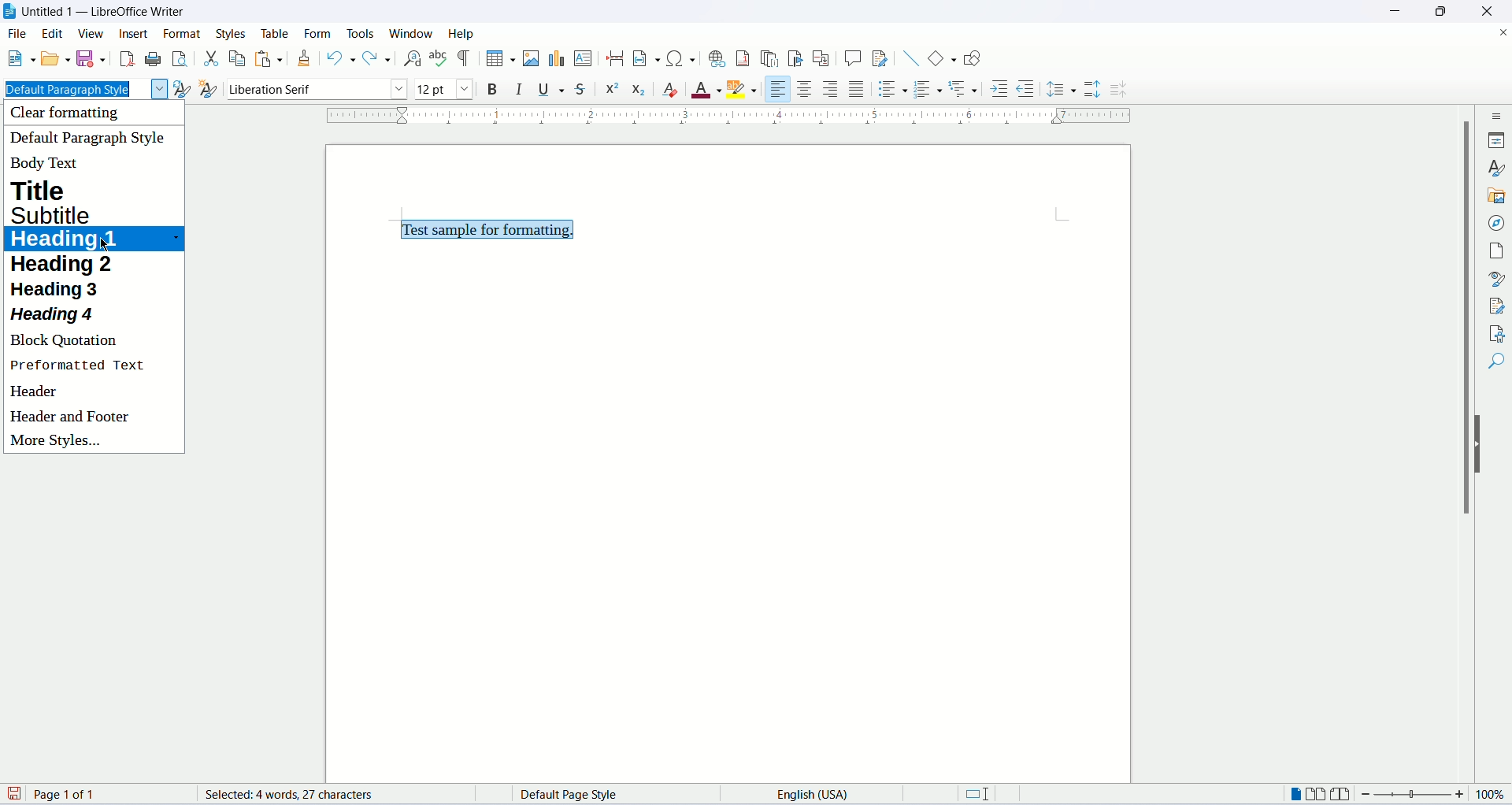  Describe the element at coordinates (234, 58) in the screenshot. I see `copy` at that location.